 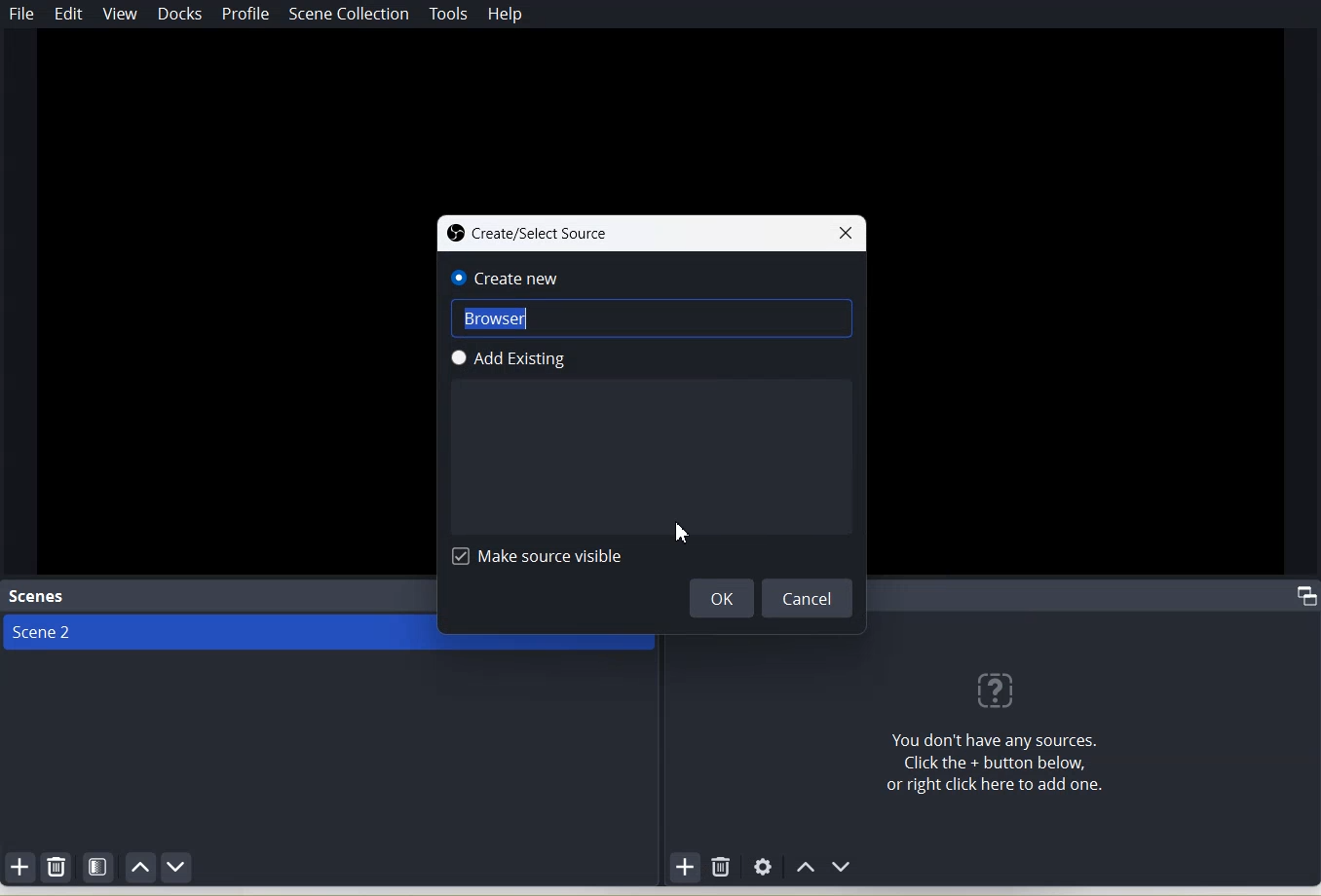 What do you see at coordinates (450, 13) in the screenshot?
I see `Tools` at bounding box center [450, 13].